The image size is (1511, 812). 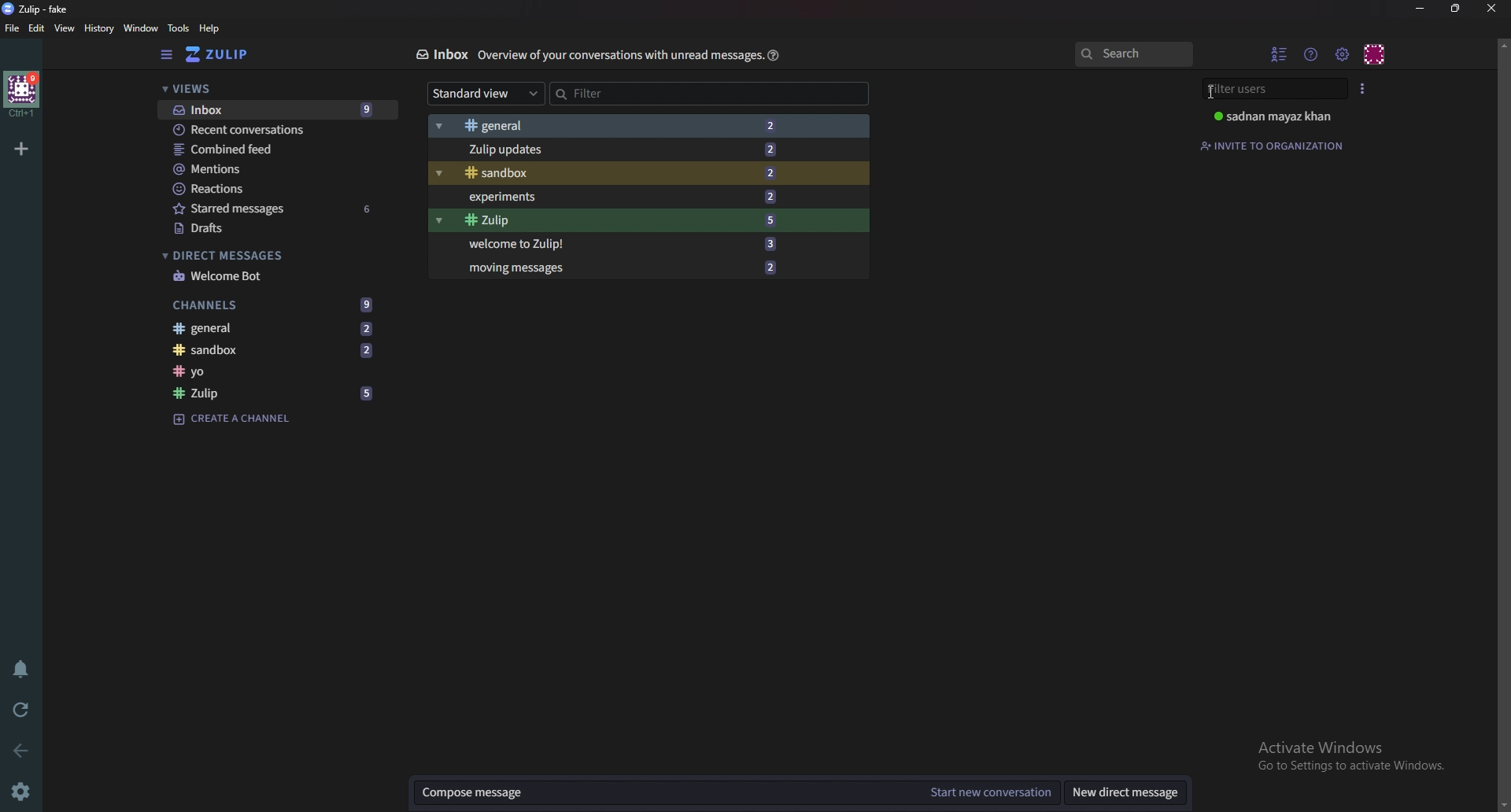 I want to click on Moving messages, so click(x=619, y=270).